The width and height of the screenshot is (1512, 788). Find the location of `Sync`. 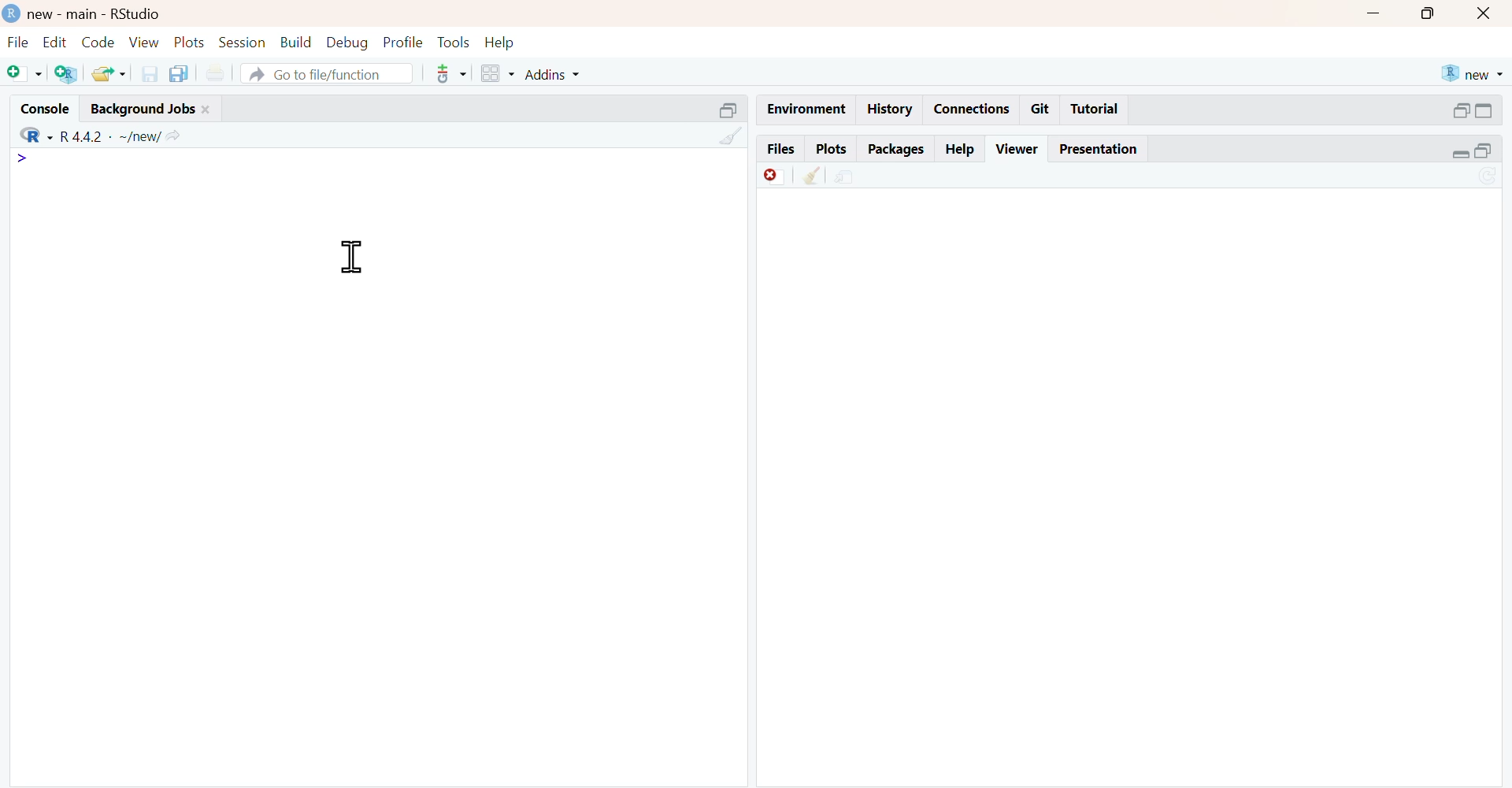

Sync is located at coordinates (1488, 175).